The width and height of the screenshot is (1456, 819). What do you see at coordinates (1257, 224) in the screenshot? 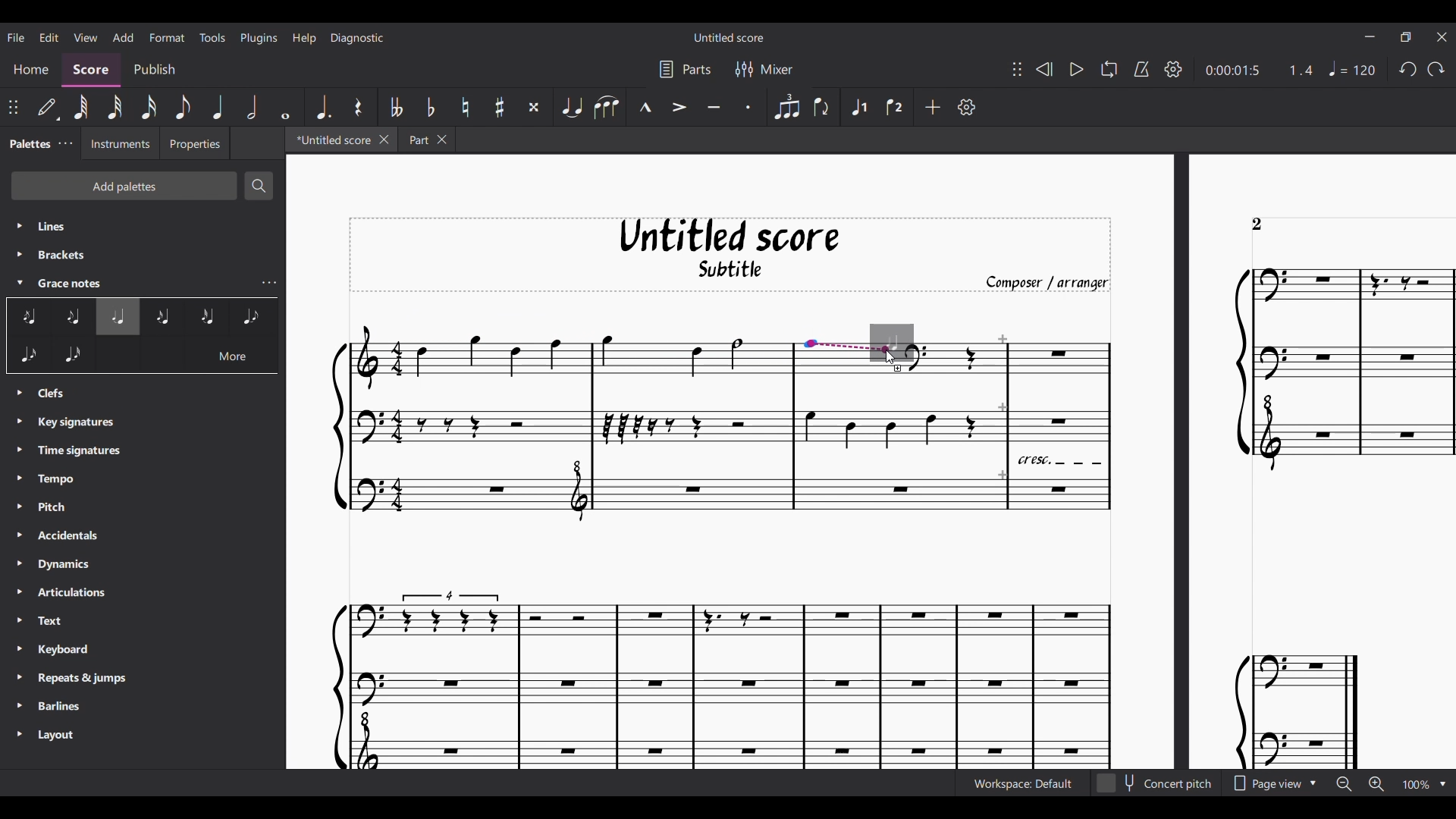
I see `Page number` at bounding box center [1257, 224].